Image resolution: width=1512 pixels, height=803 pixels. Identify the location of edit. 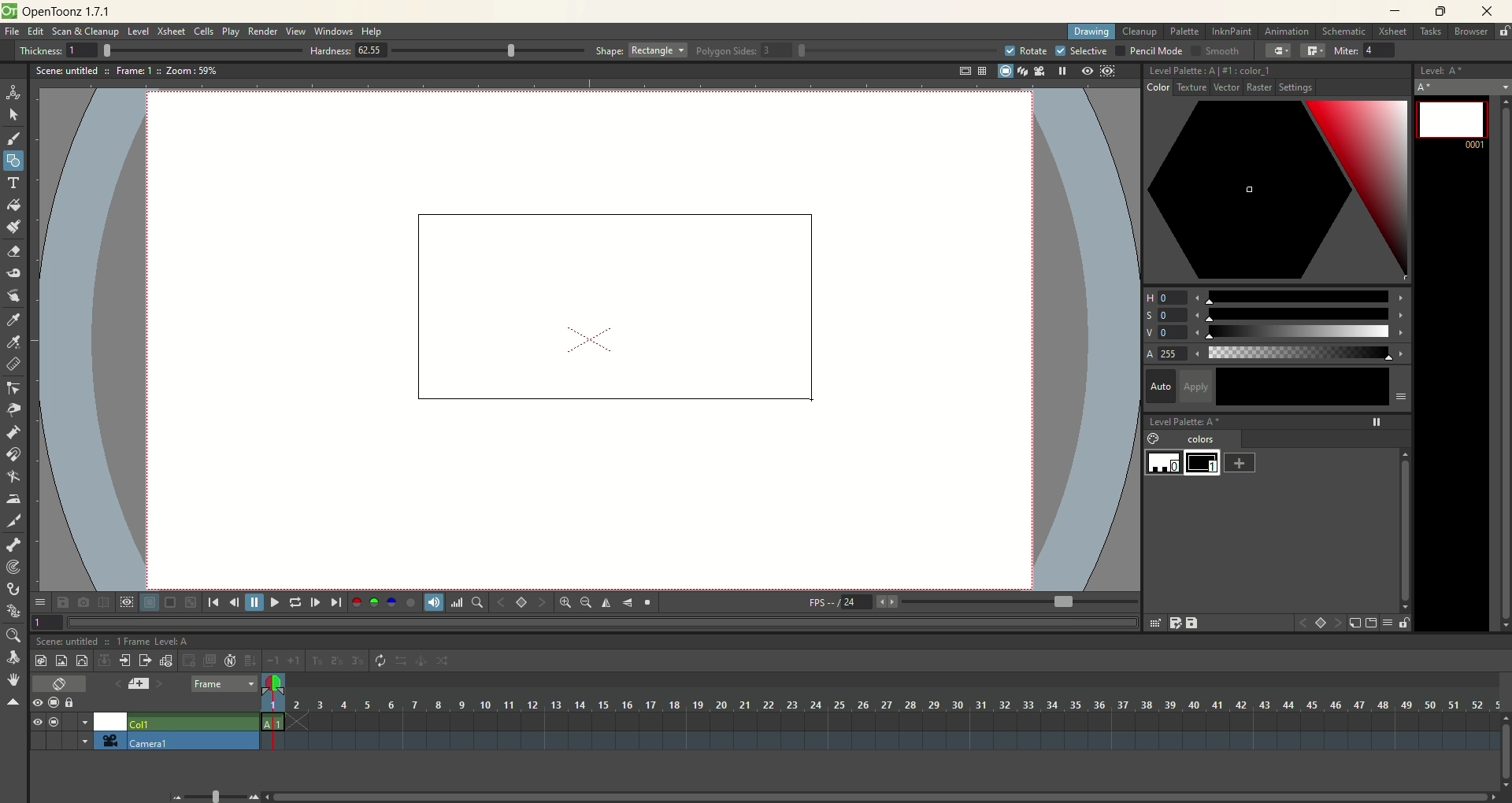
(35, 33).